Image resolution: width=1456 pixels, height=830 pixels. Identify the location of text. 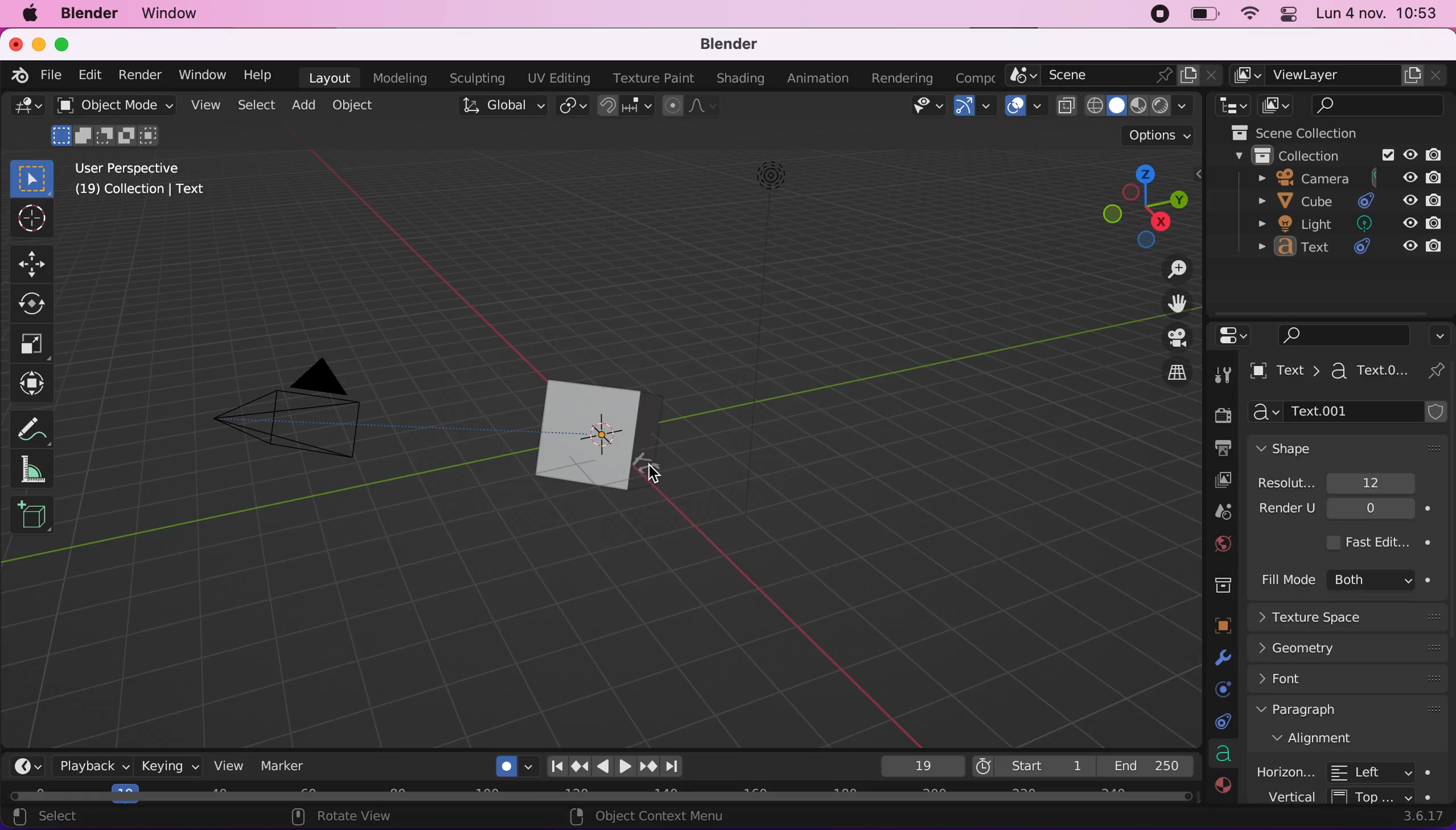
(1353, 412).